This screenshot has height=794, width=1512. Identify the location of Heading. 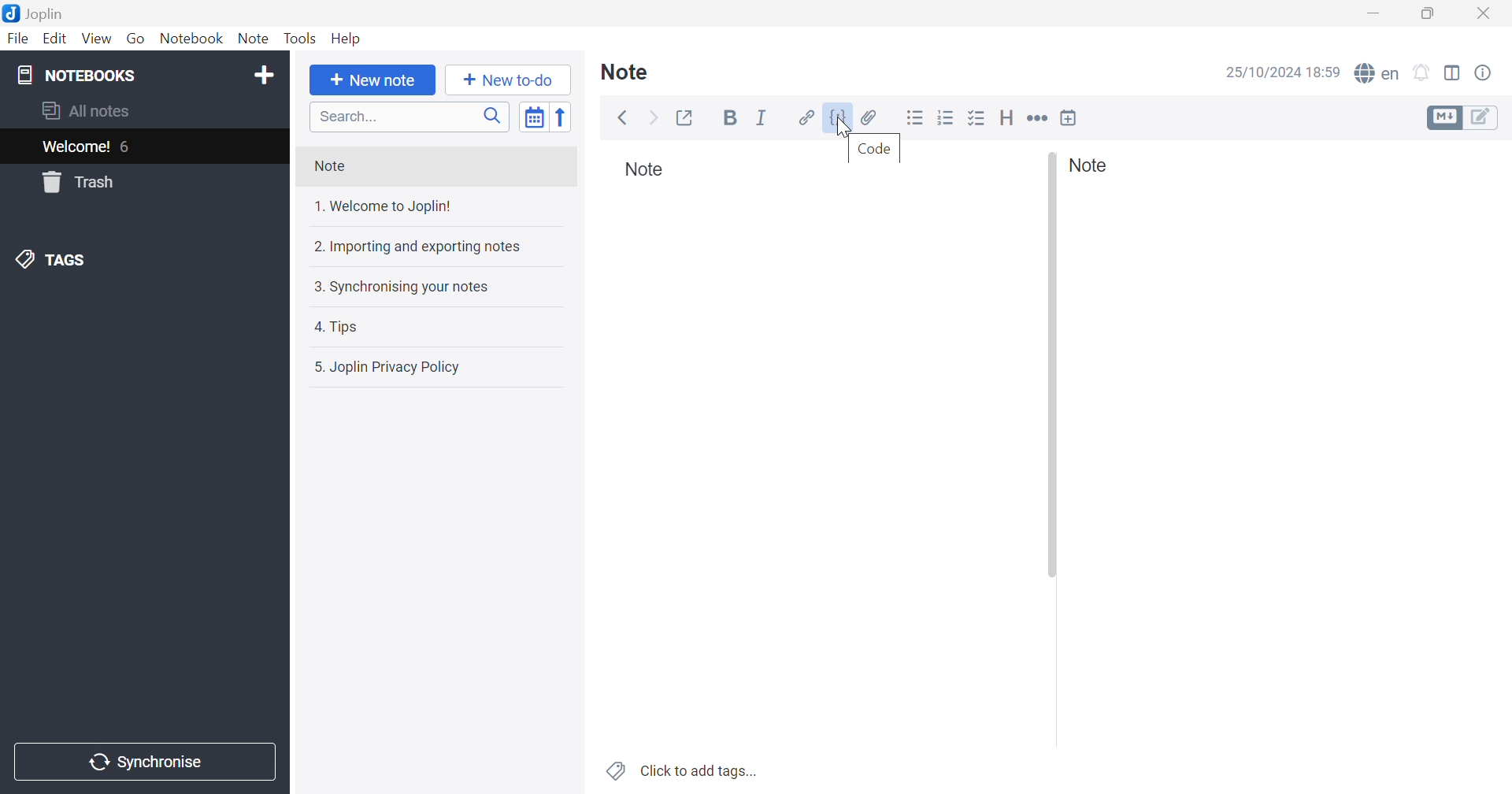
(1007, 117).